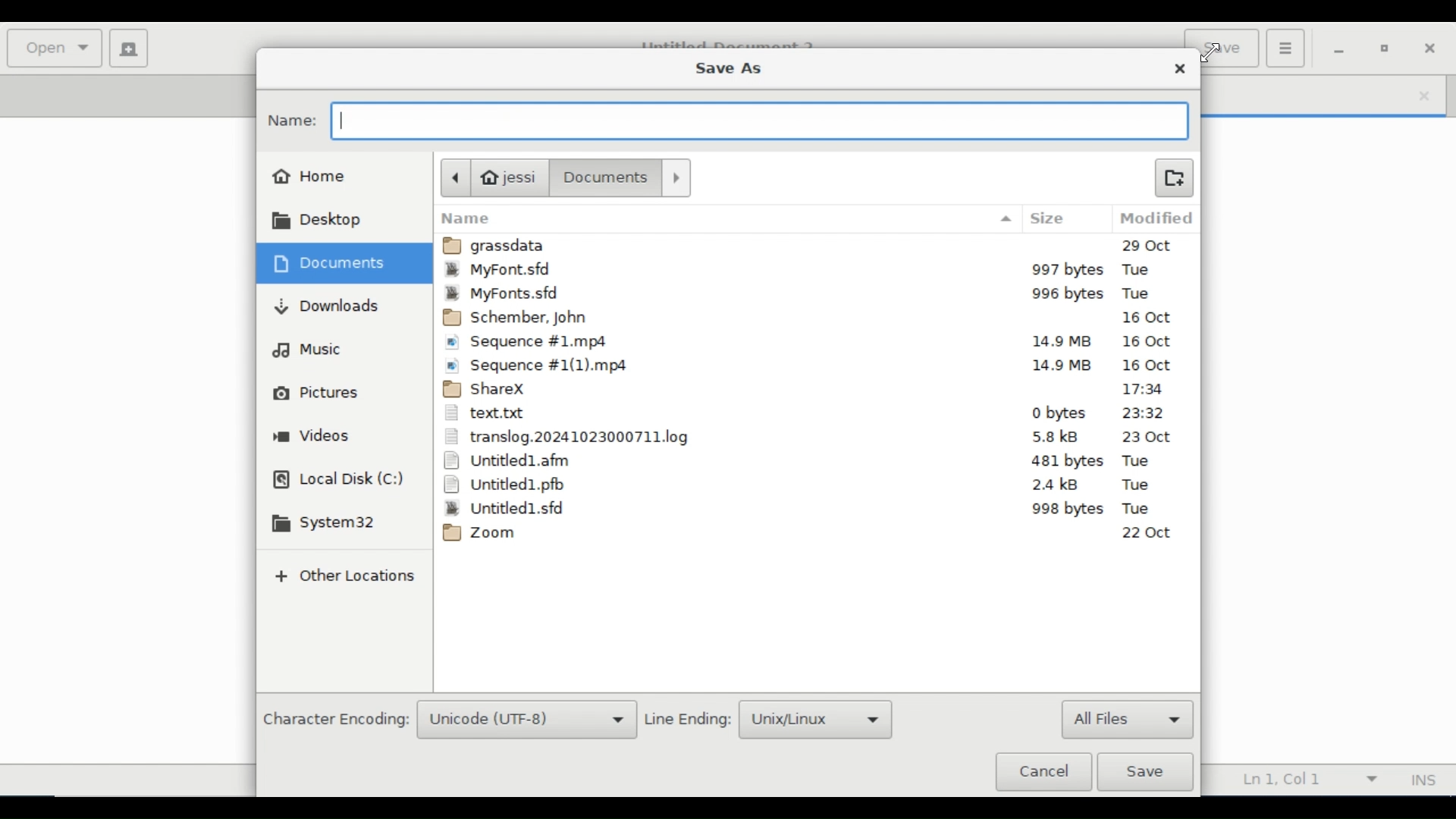  What do you see at coordinates (292, 121) in the screenshot?
I see `Name` at bounding box center [292, 121].